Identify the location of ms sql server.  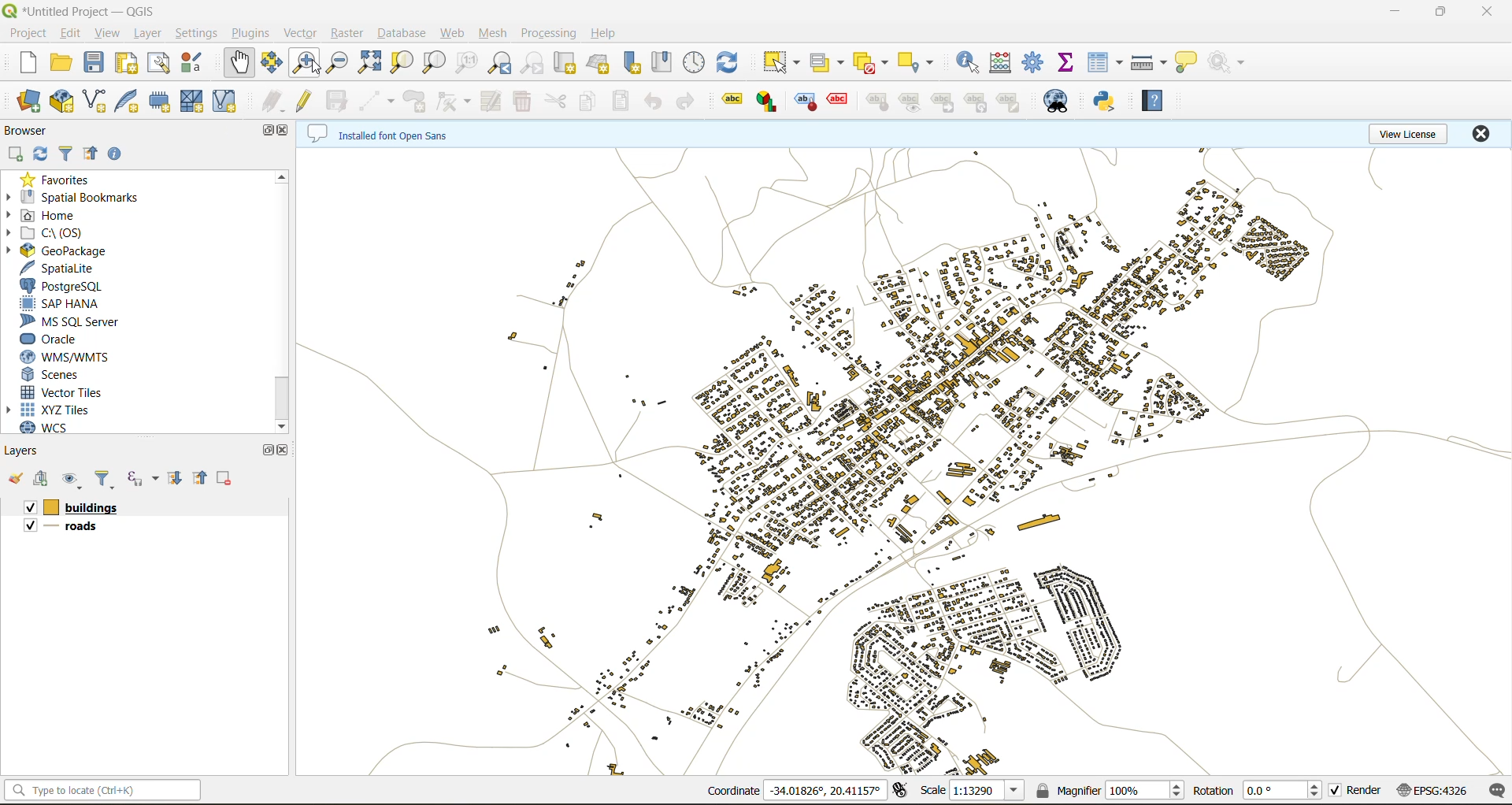
(78, 321).